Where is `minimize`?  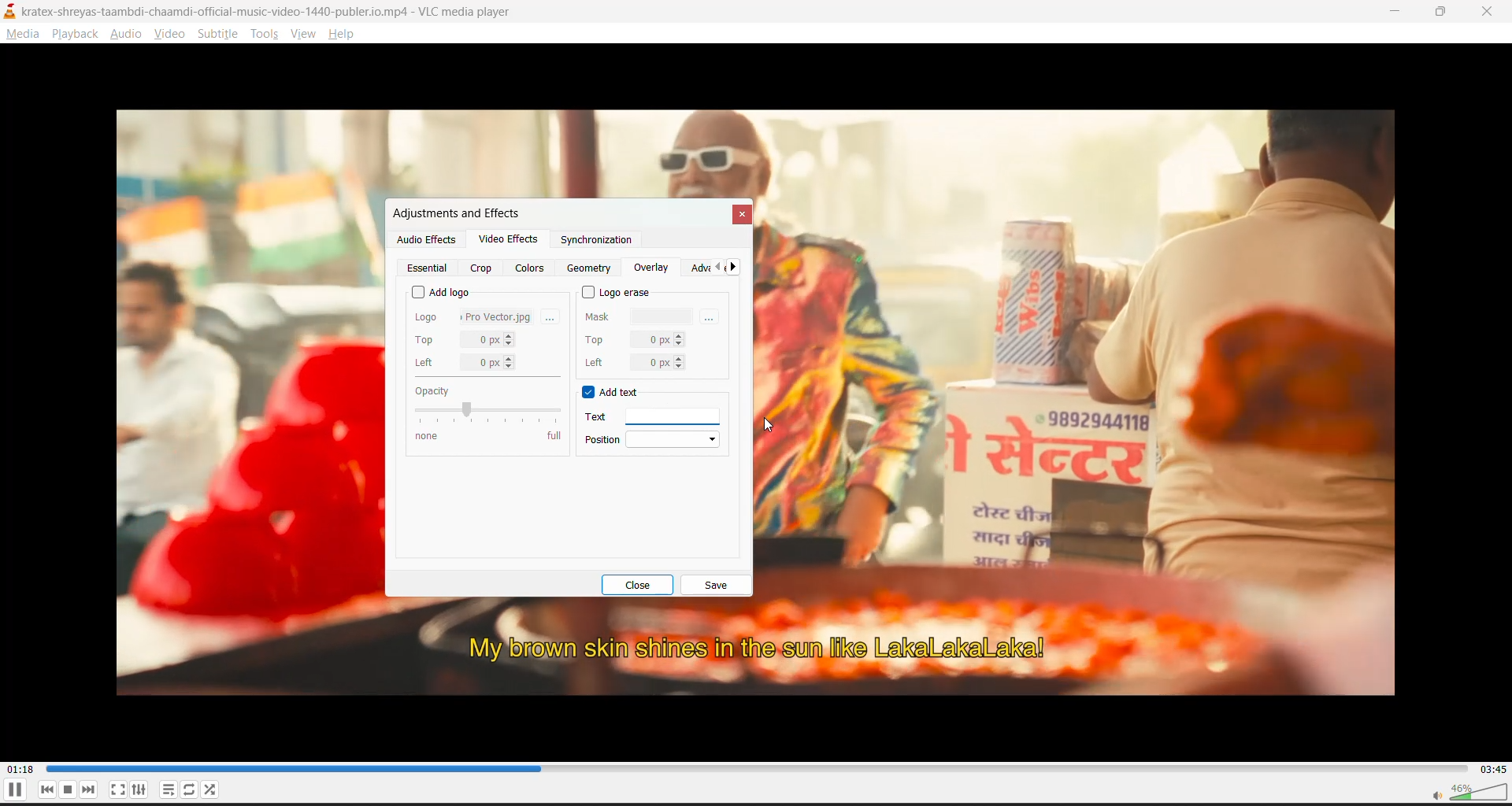 minimize is located at coordinates (1397, 11).